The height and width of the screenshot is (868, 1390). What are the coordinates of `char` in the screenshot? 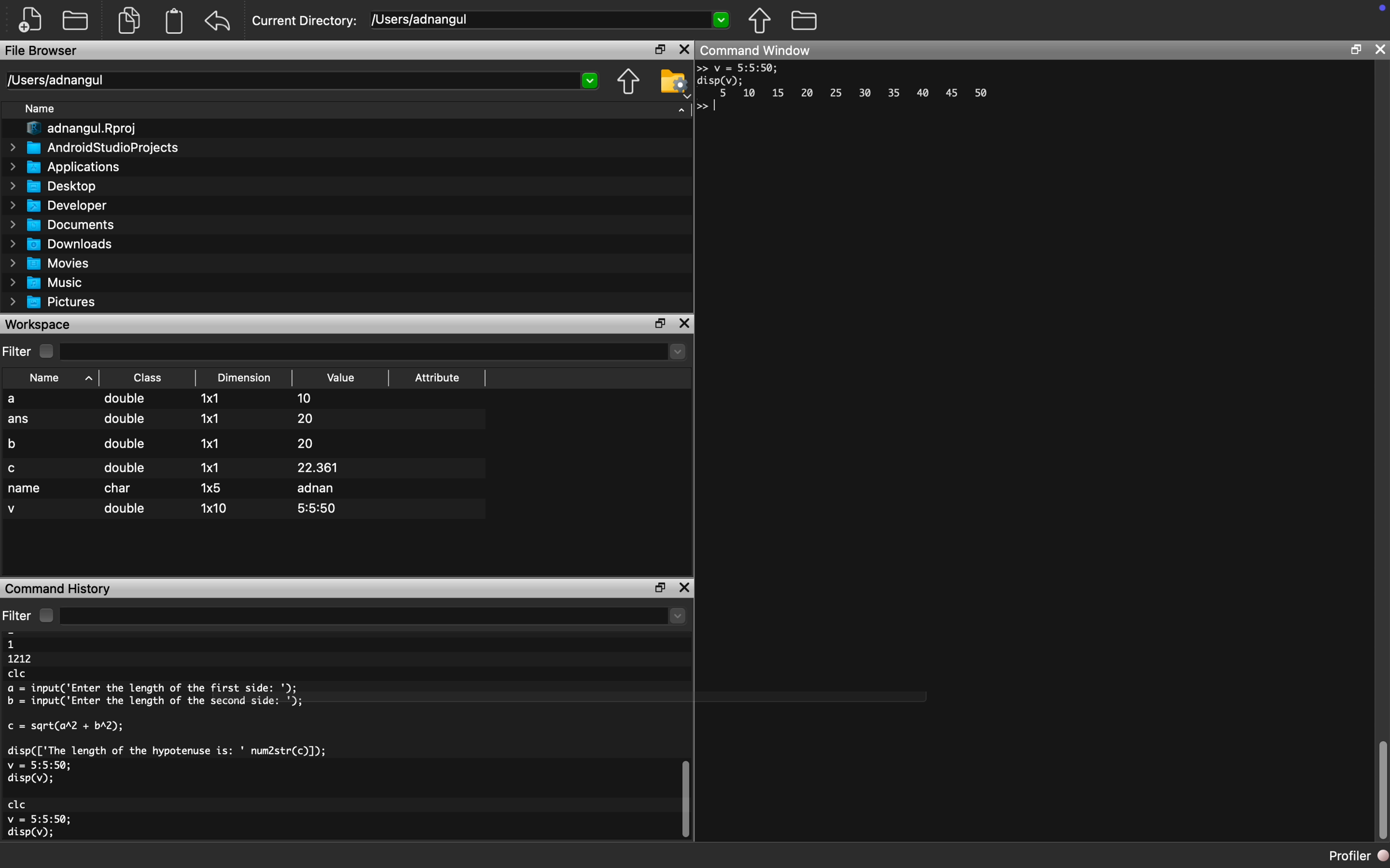 It's located at (118, 489).